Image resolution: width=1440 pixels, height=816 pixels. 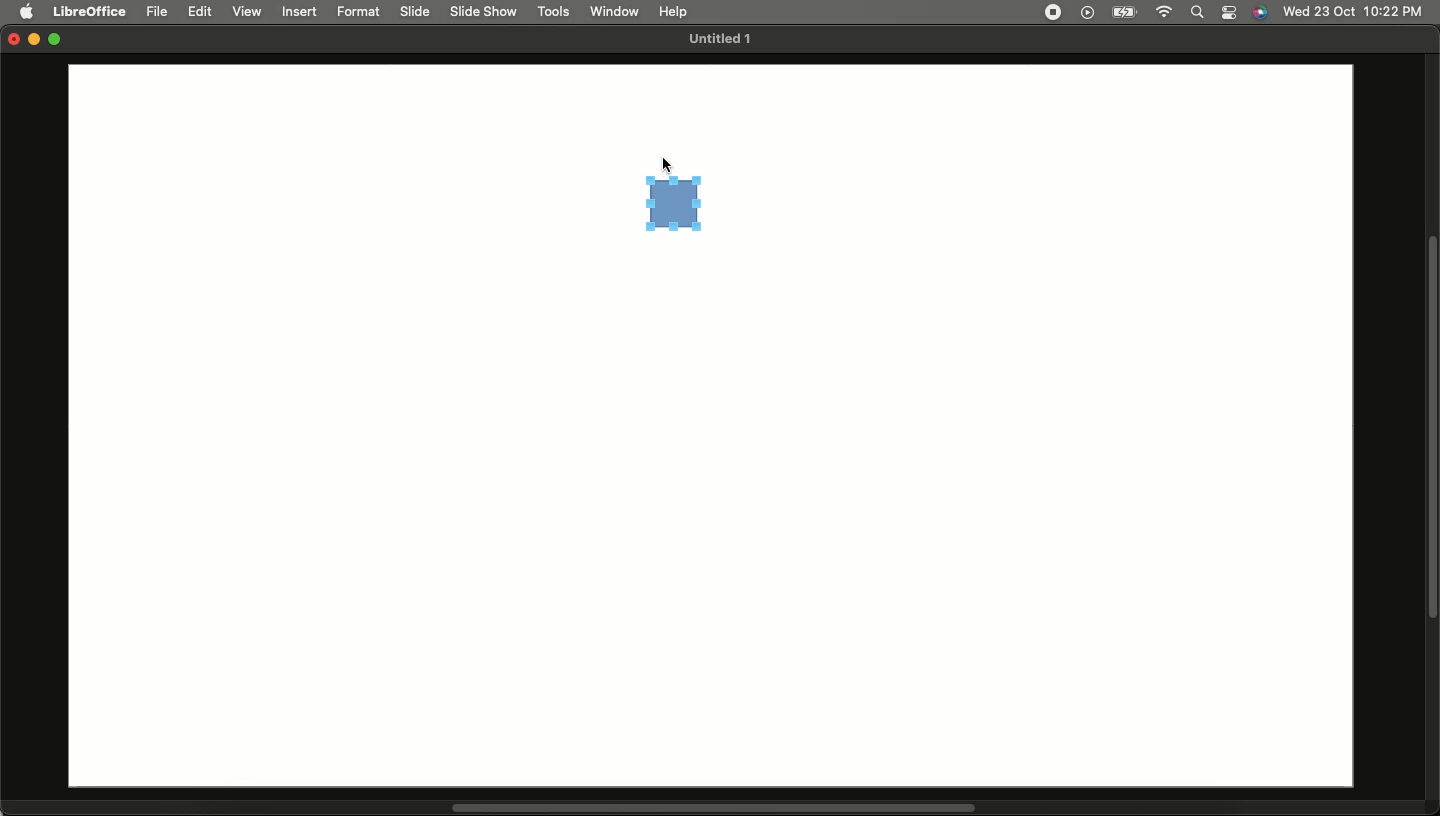 What do you see at coordinates (10, 41) in the screenshot?
I see `Close` at bounding box center [10, 41].